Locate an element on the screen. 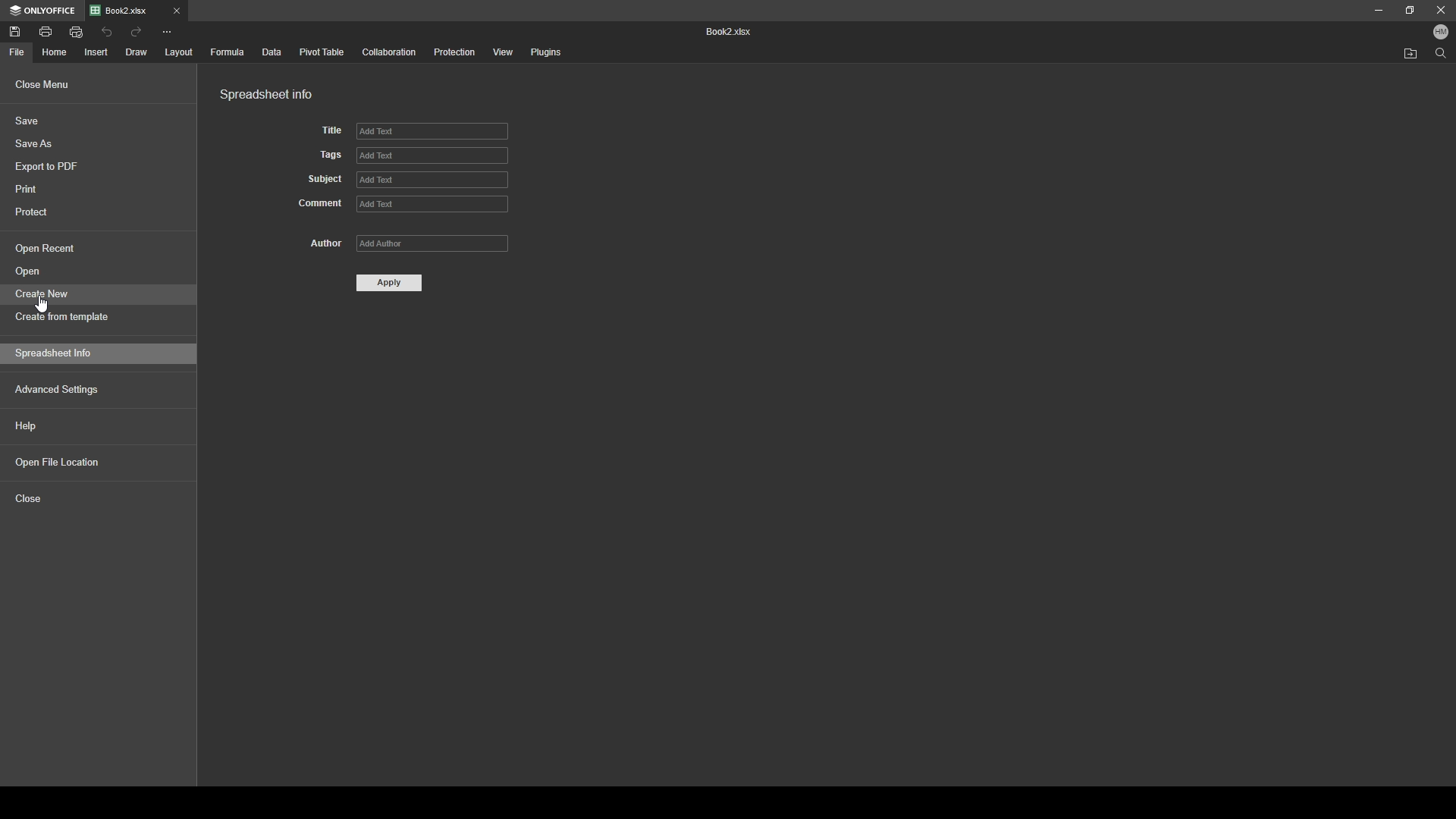 The image size is (1456, 819). export to pdf is located at coordinates (99, 167).